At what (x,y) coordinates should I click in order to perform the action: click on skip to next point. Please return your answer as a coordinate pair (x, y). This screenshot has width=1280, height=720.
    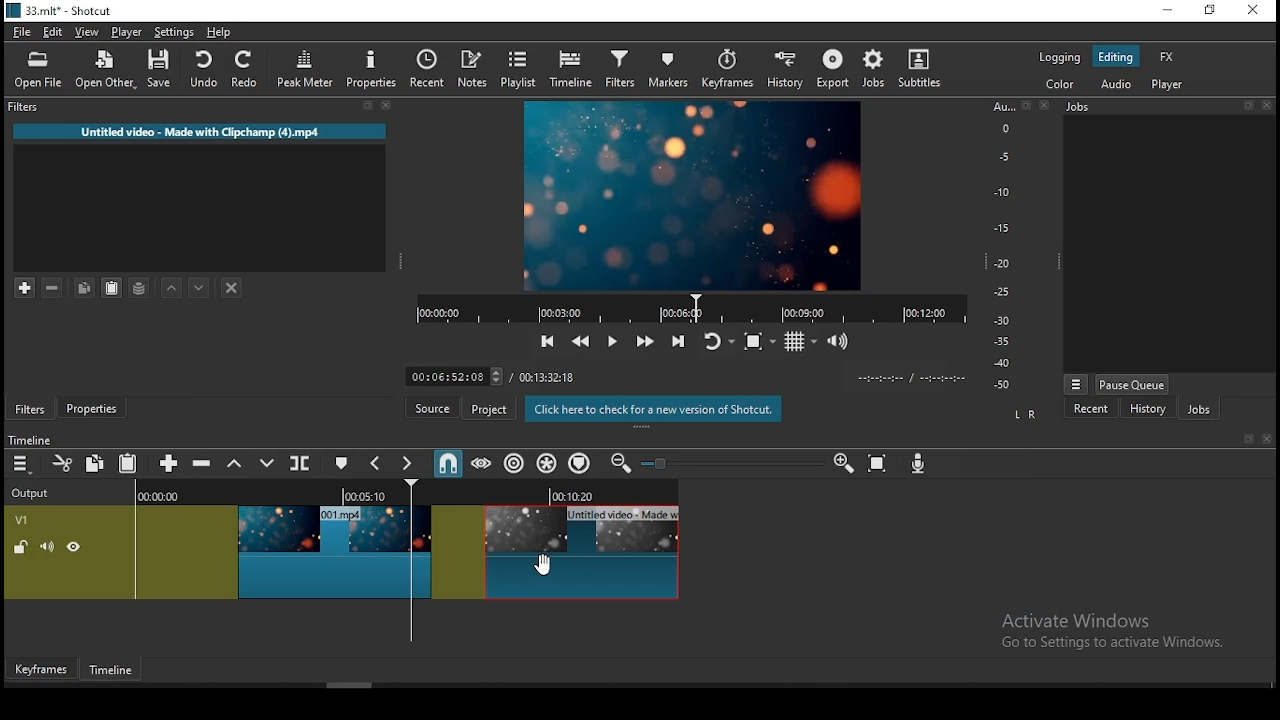
    Looking at the image, I should click on (679, 342).